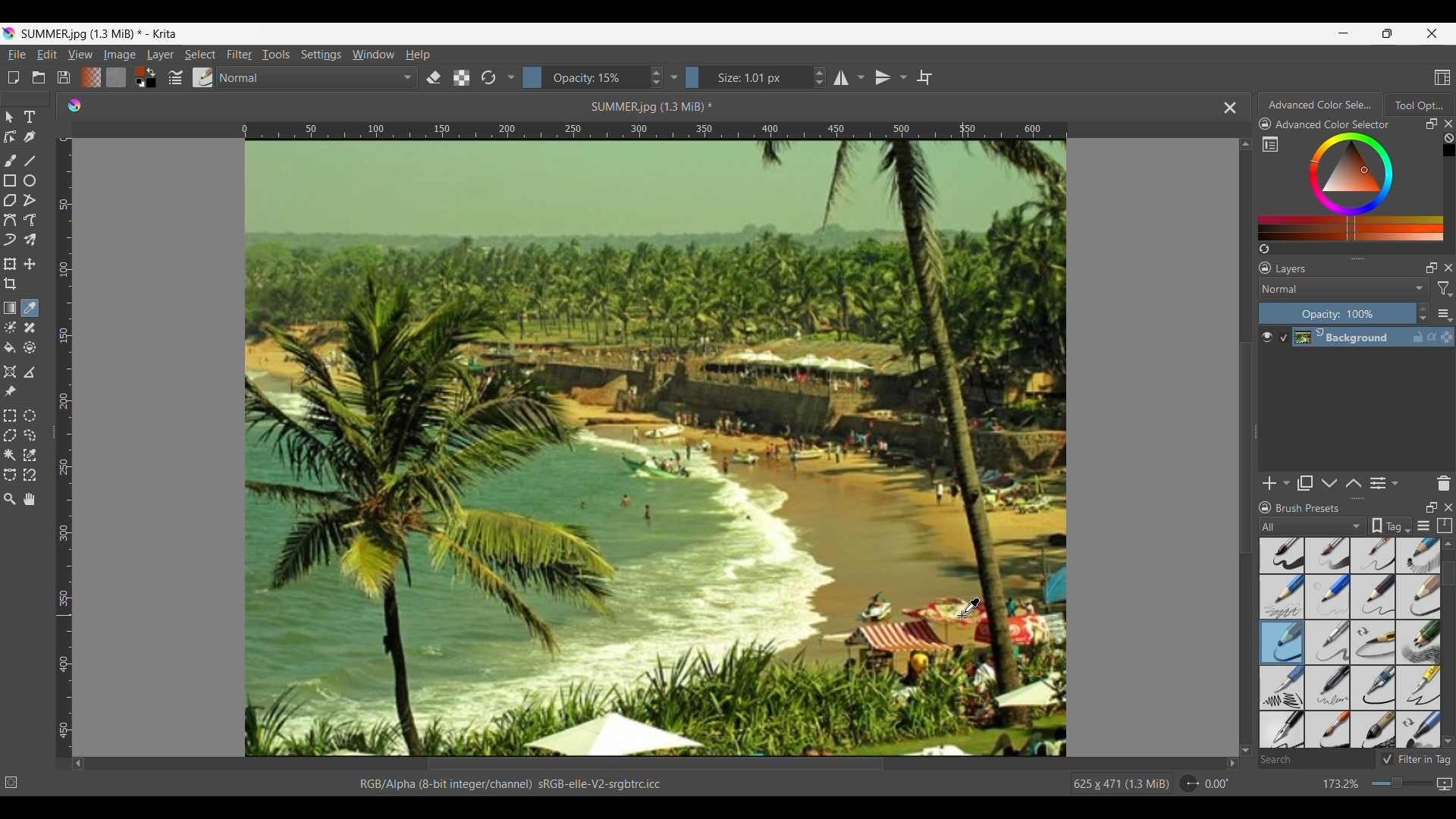  Describe the element at coordinates (1415, 759) in the screenshot. I see `Filter in Tag` at that location.